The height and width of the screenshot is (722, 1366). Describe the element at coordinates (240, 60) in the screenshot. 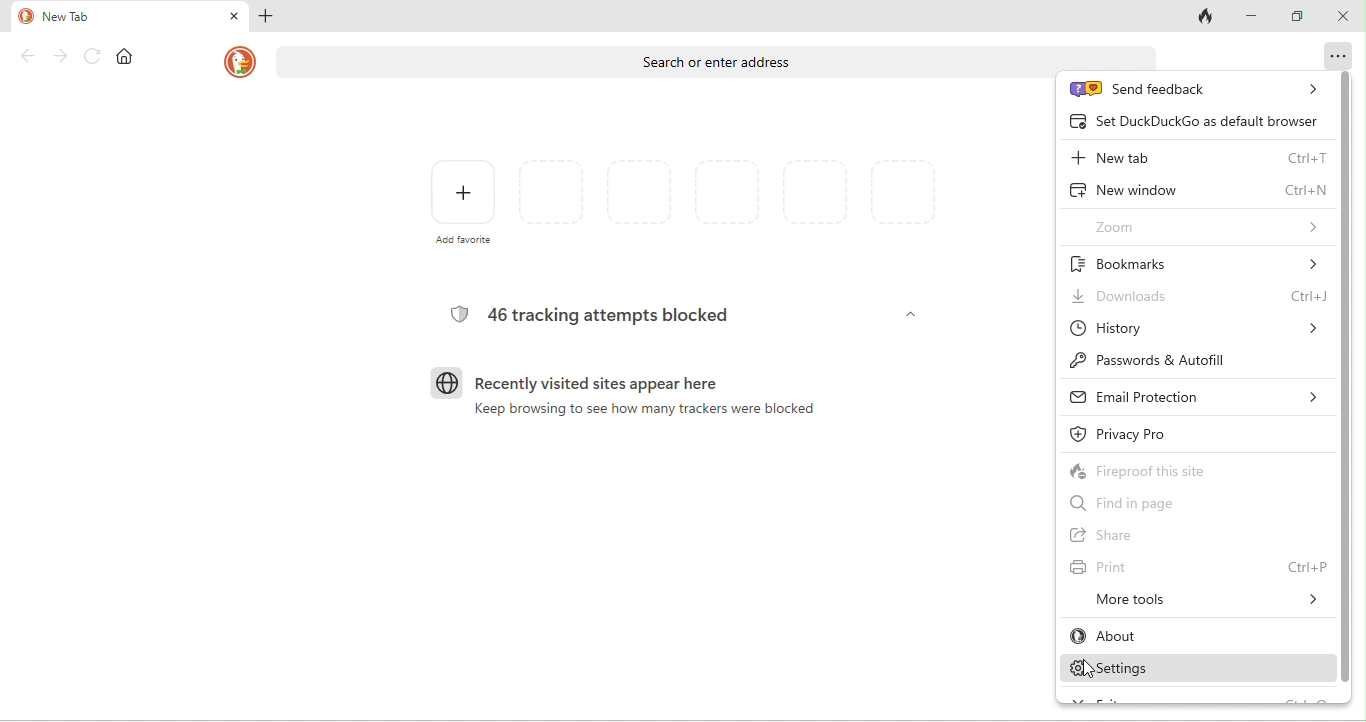

I see `duck duck go logo` at that location.